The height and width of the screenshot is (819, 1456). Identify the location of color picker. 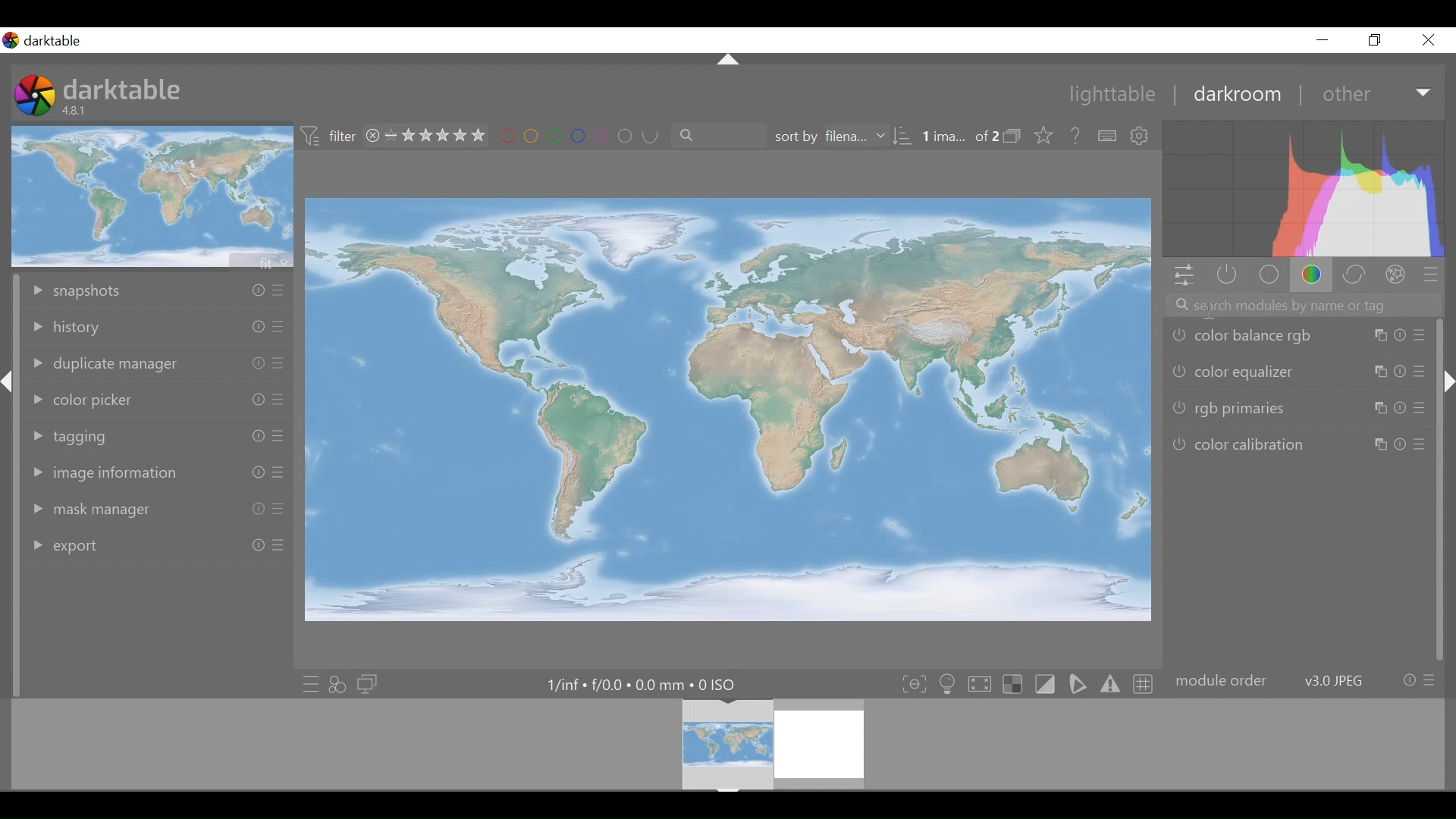
(158, 400).